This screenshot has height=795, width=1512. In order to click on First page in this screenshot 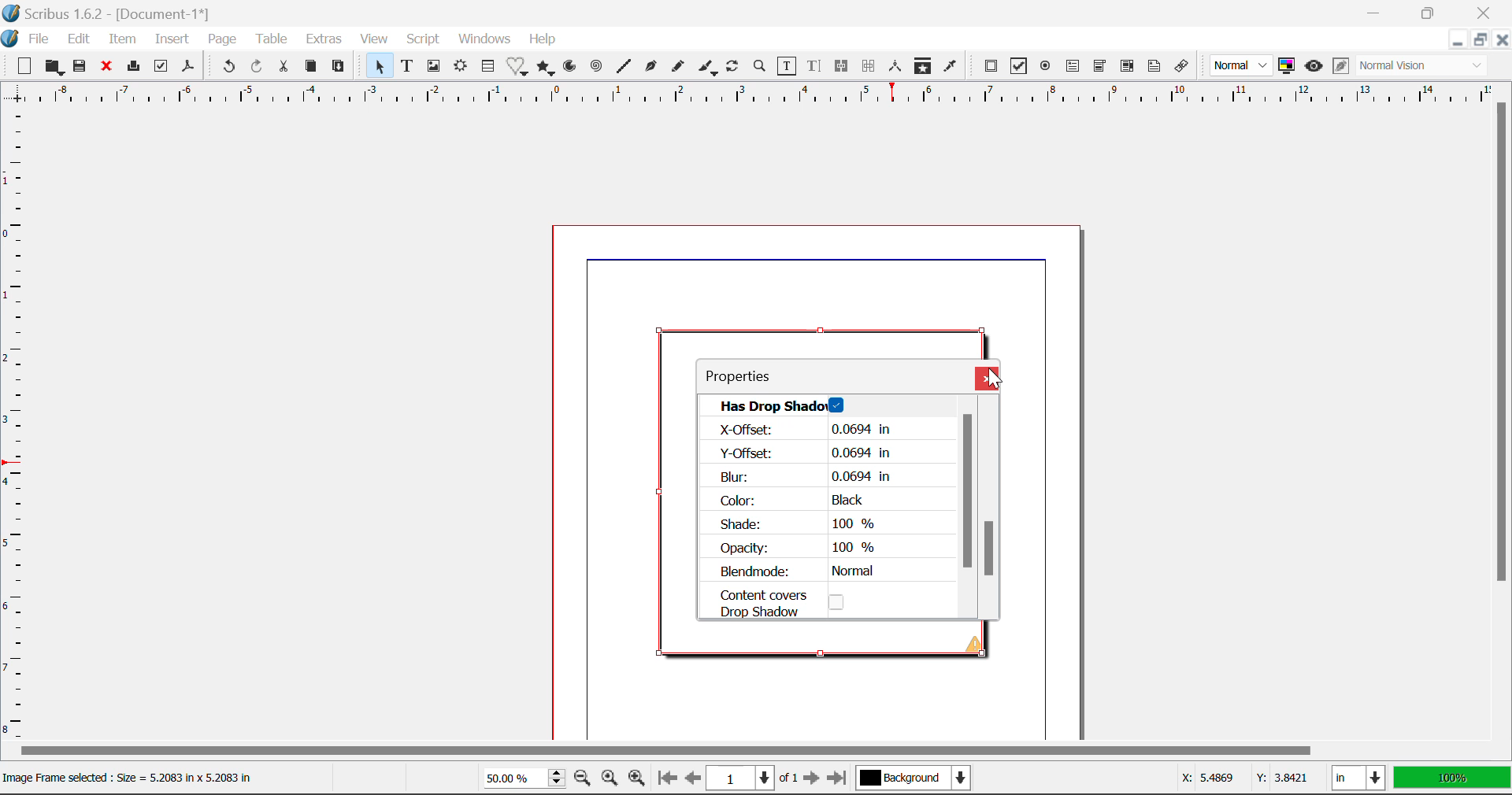, I will do `click(667, 781)`.